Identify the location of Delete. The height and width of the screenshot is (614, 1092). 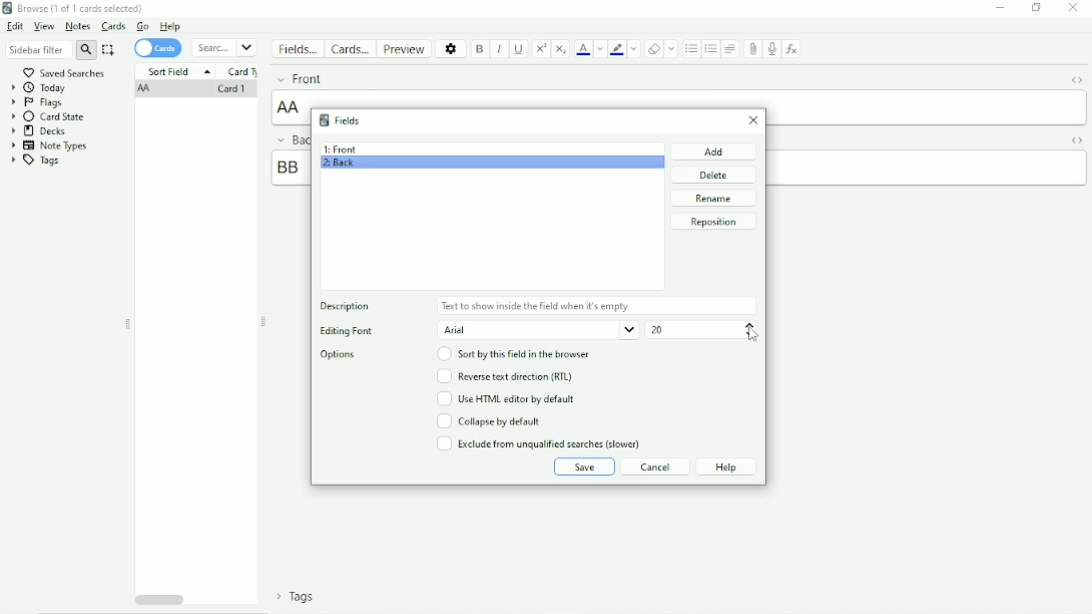
(715, 175).